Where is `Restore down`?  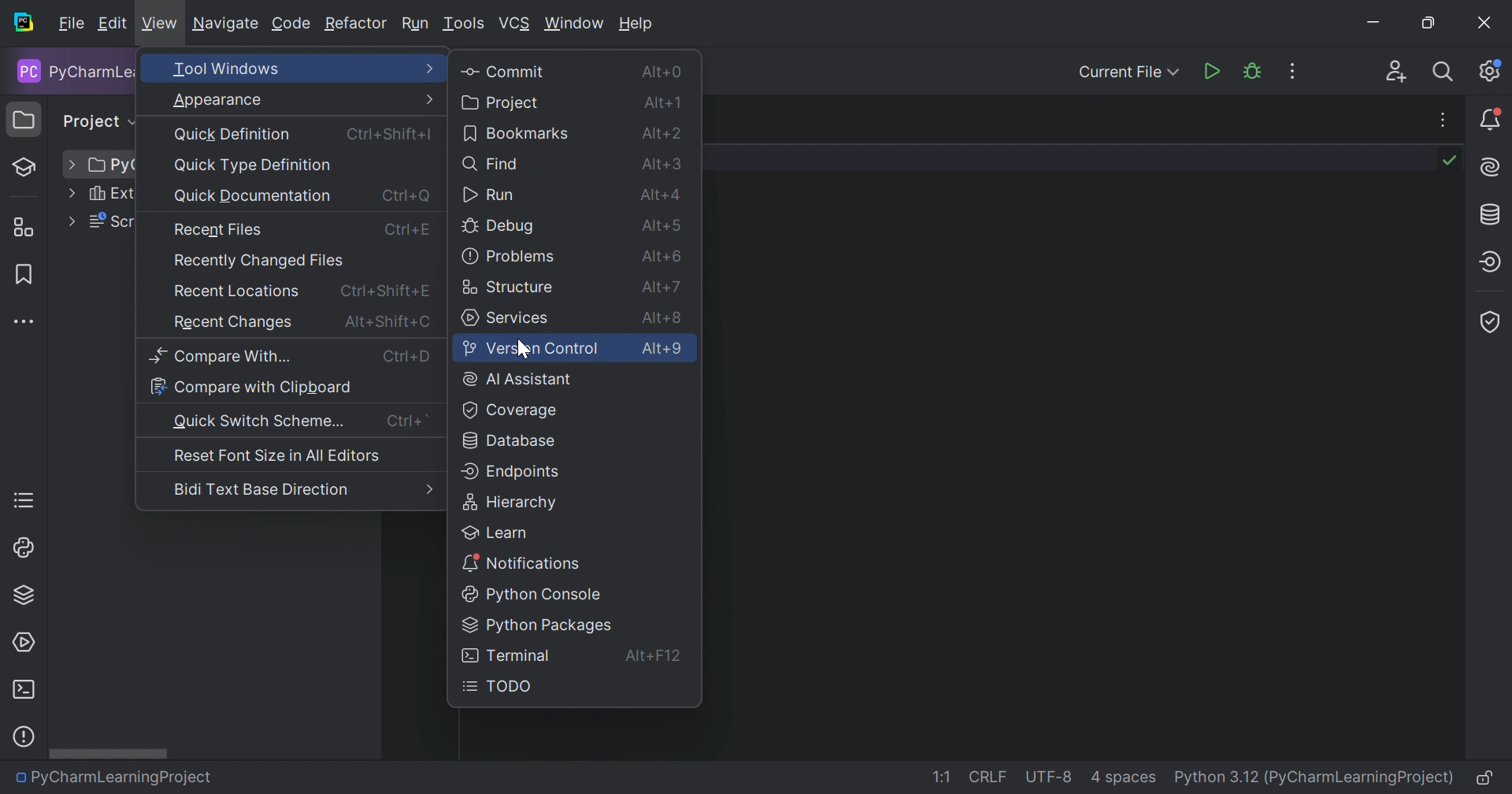
Restore down is located at coordinates (1431, 24).